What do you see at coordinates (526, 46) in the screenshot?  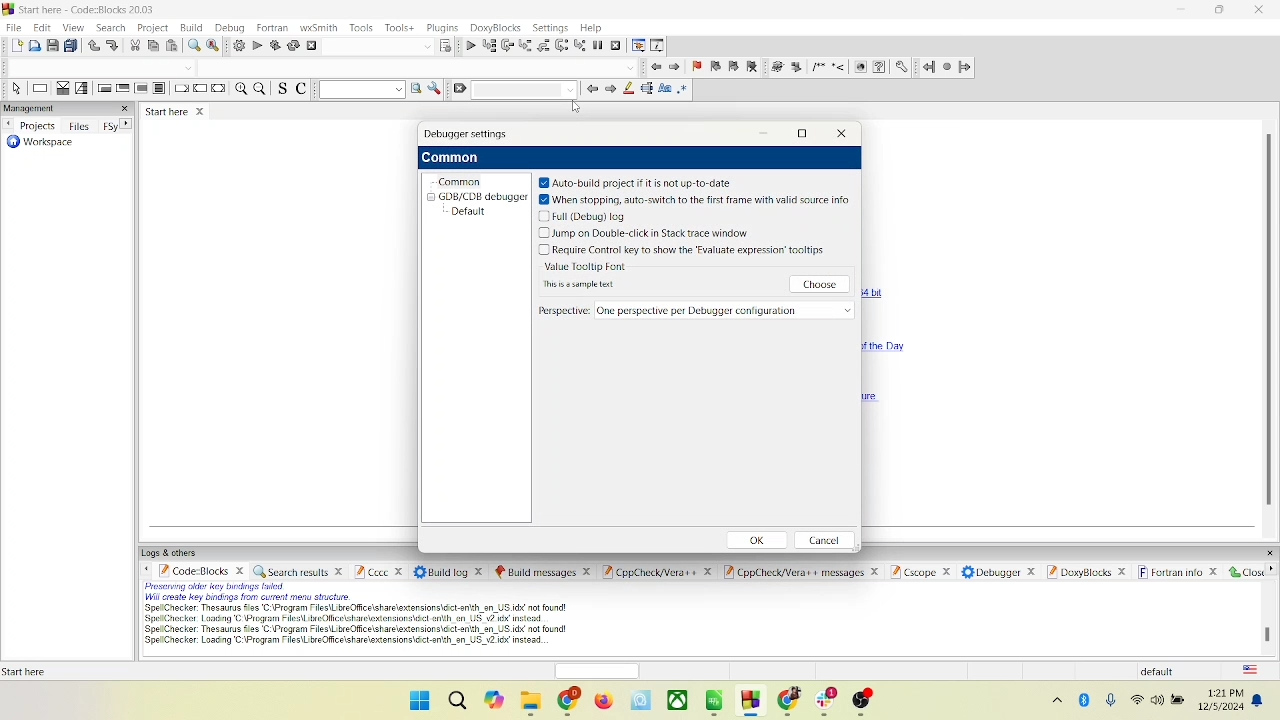 I see `step into` at bounding box center [526, 46].